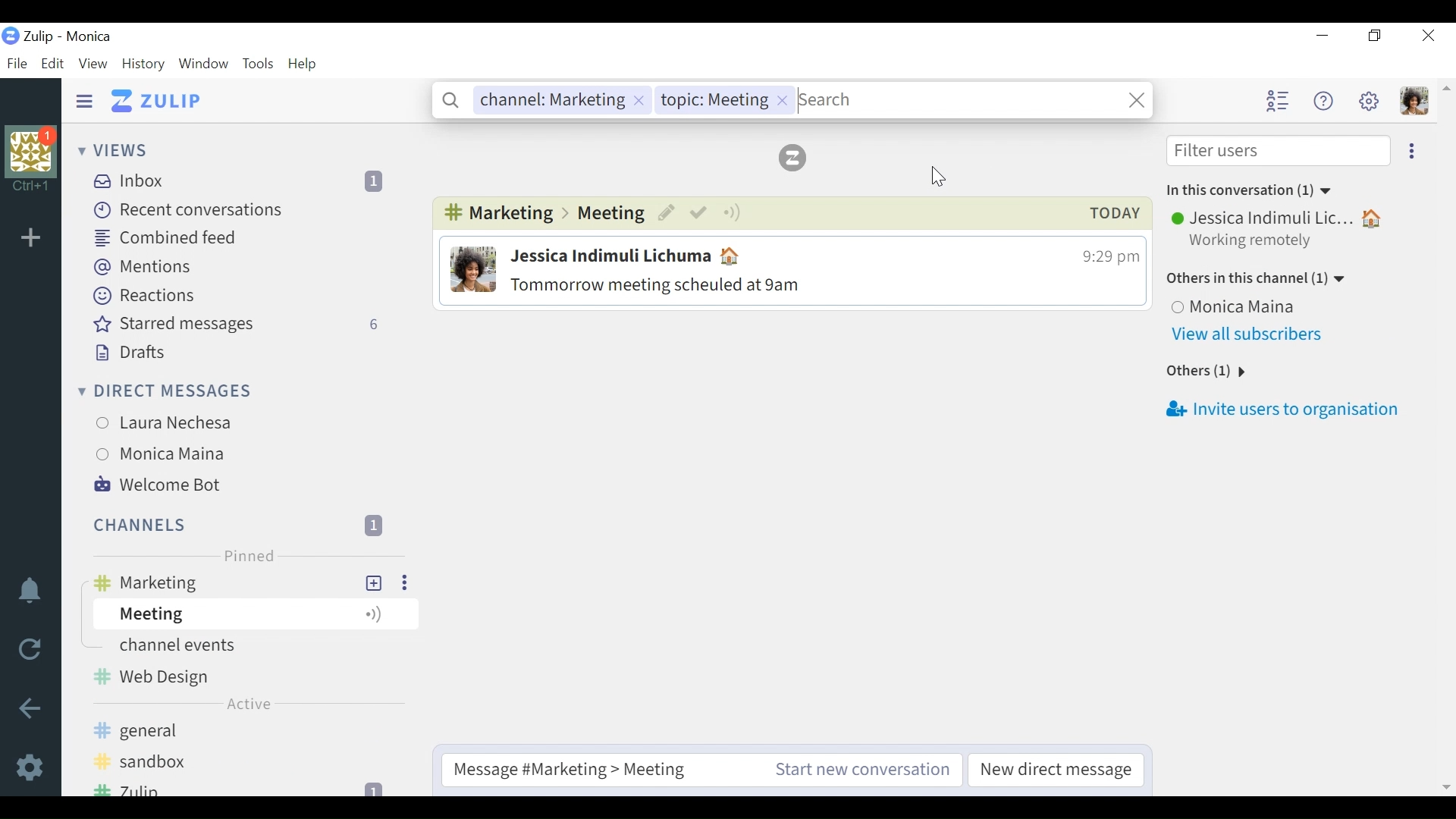 This screenshot has width=1456, height=819. Describe the element at coordinates (165, 101) in the screenshot. I see `Go to Home View` at that location.